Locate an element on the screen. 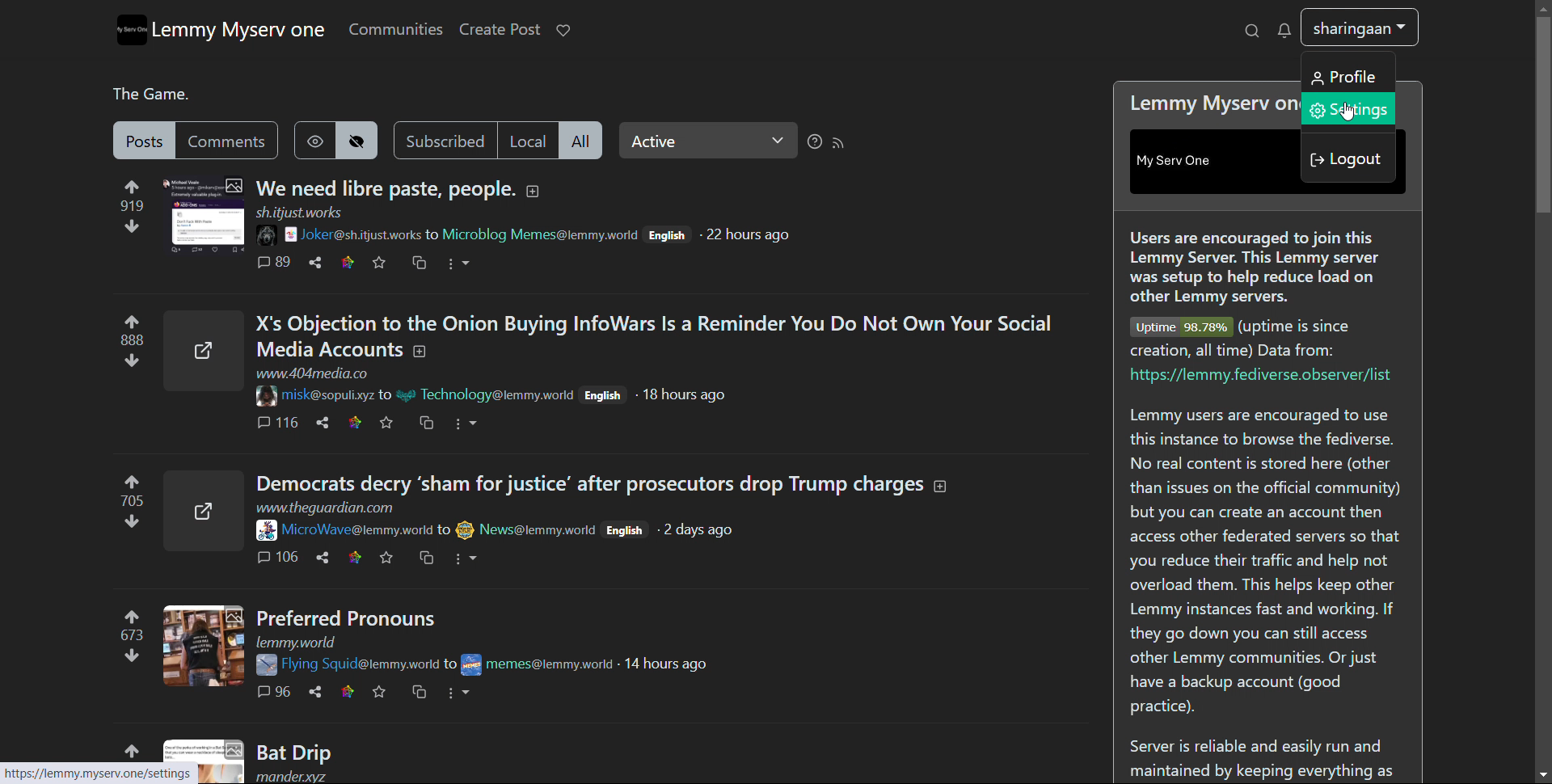 Image resolution: width=1552 pixels, height=784 pixels. cross post is located at coordinates (432, 557).